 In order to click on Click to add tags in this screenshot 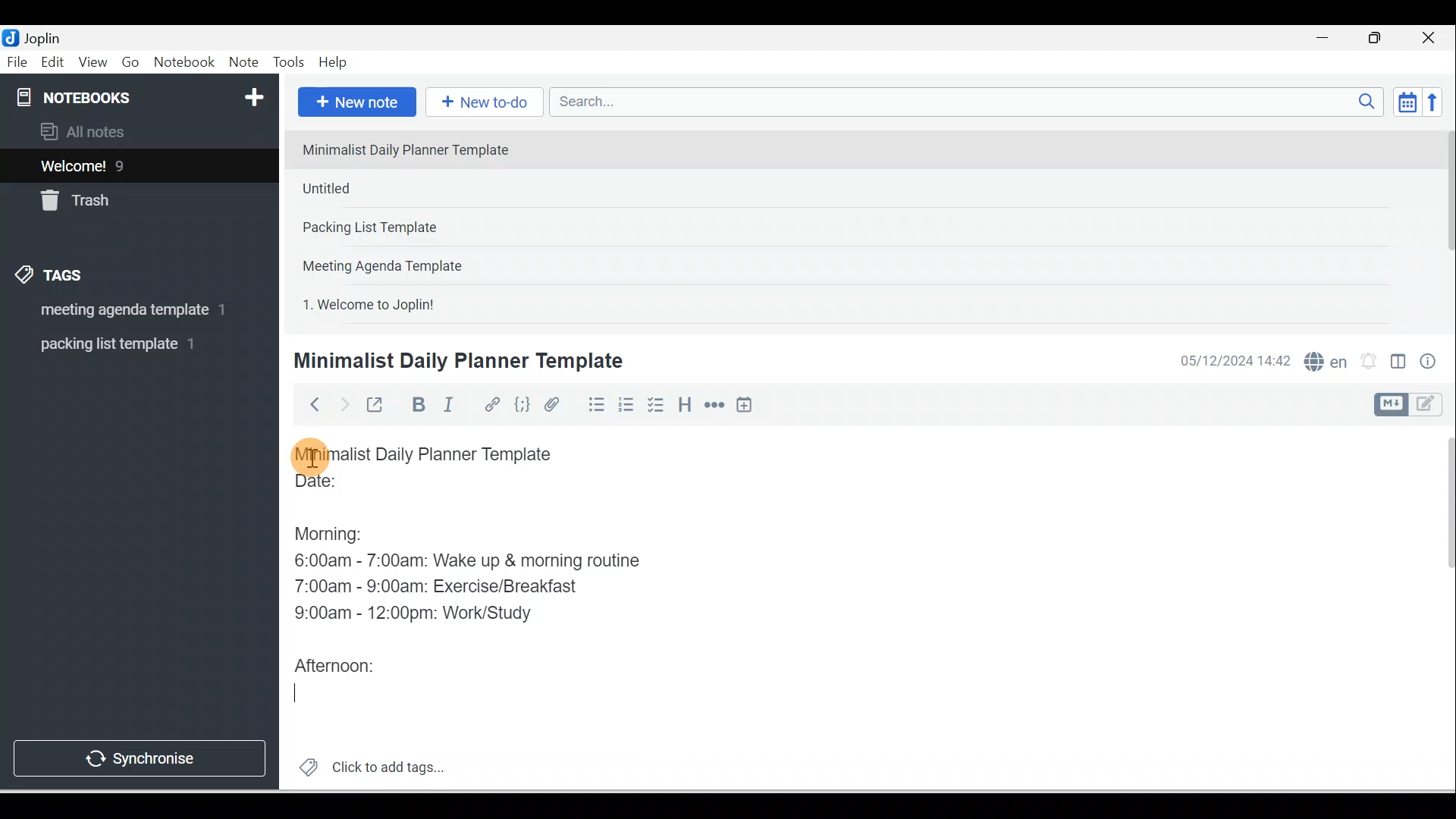, I will do `click(366, 765)`.